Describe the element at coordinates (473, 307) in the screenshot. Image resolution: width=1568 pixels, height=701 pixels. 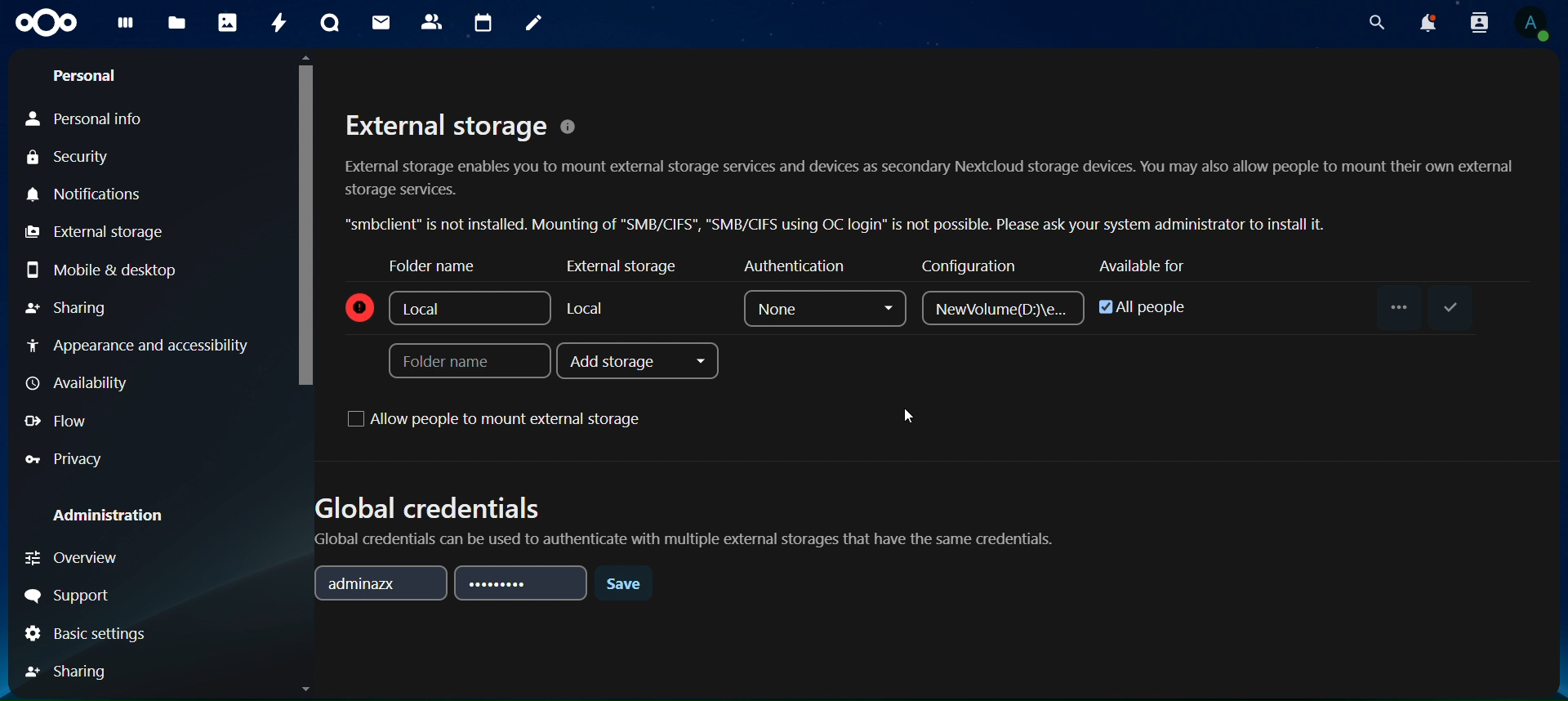
I see `local` at that location.